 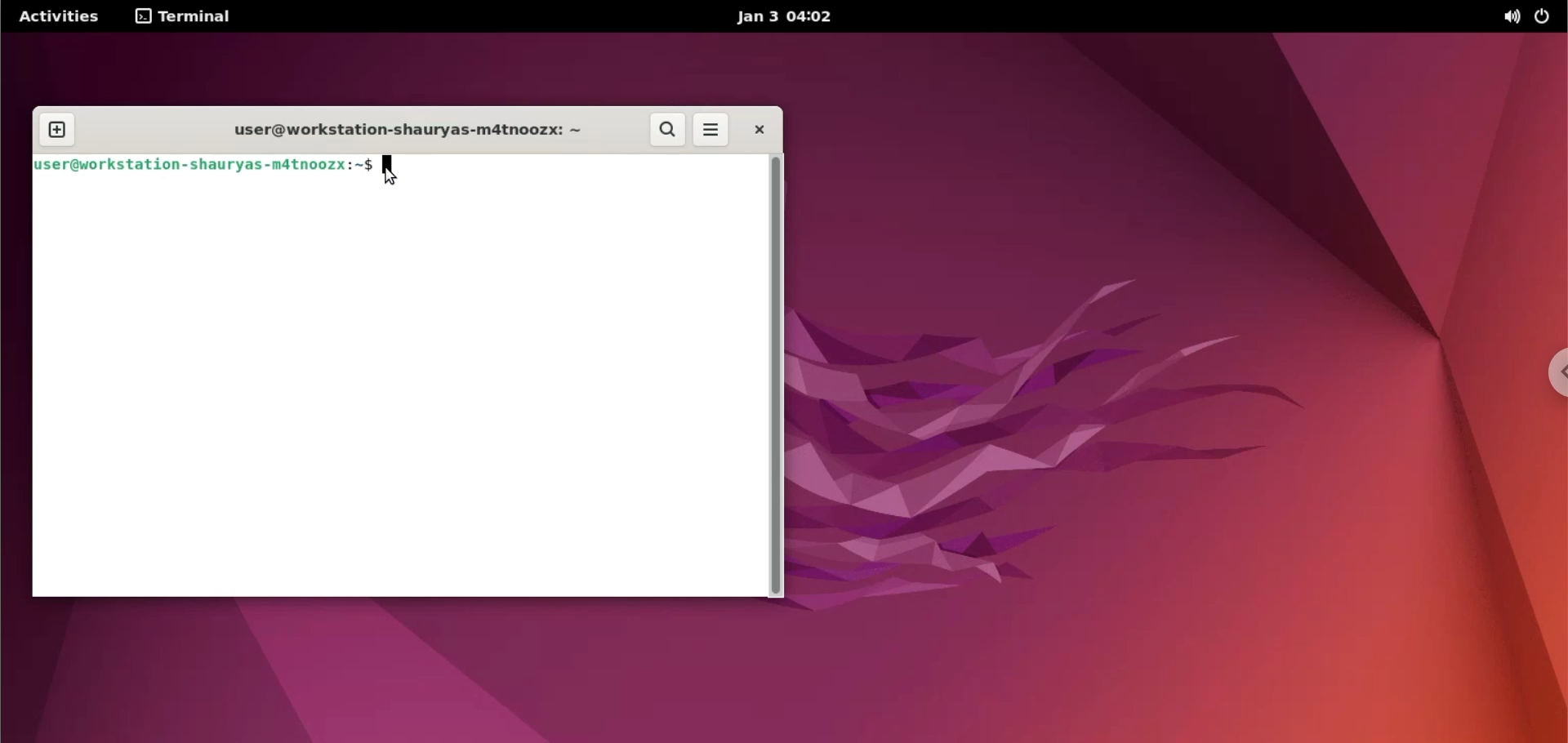 I want to click on cursor, so click(x=390, y=172).